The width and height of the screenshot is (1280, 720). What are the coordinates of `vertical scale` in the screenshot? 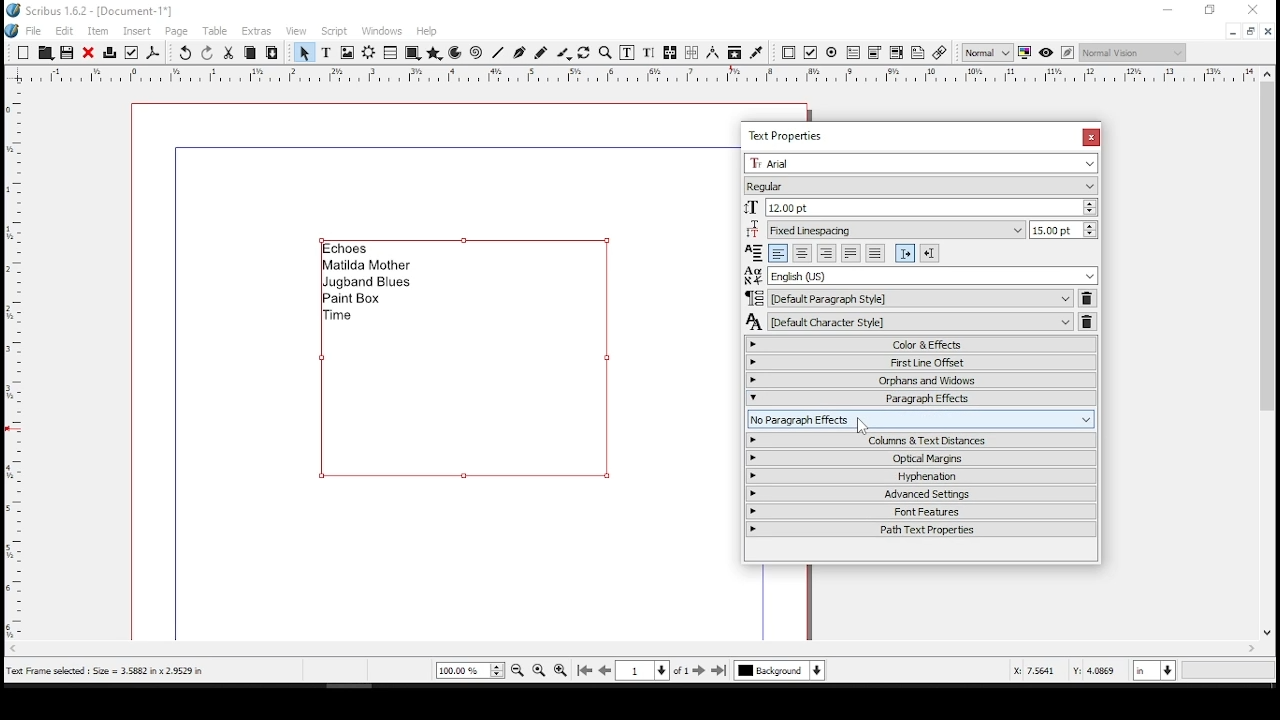 It's located at (11, 363).